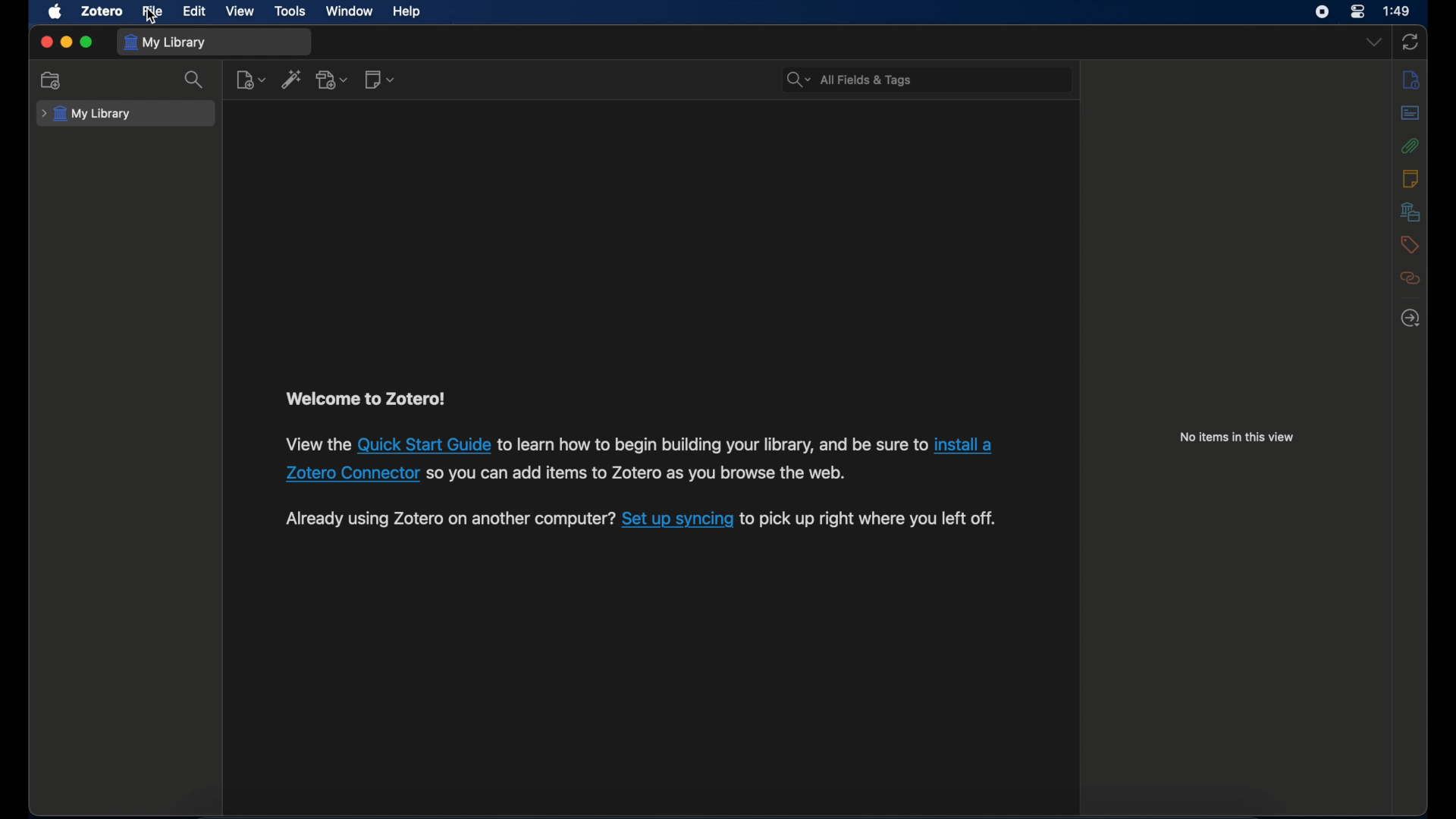 This screenshot has height=819, width=1456. What do you see at coordinates (1410, 245) in the screenshot?
I see `tags` at bounding box center [1410, 245].